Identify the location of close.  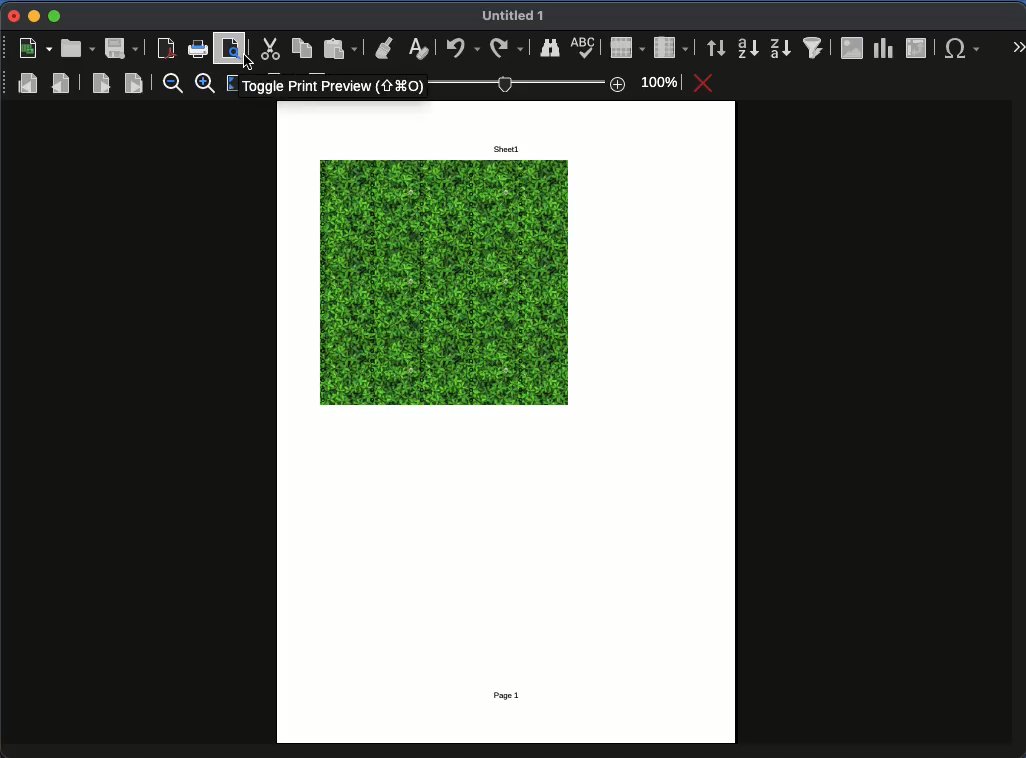
(705, 83).